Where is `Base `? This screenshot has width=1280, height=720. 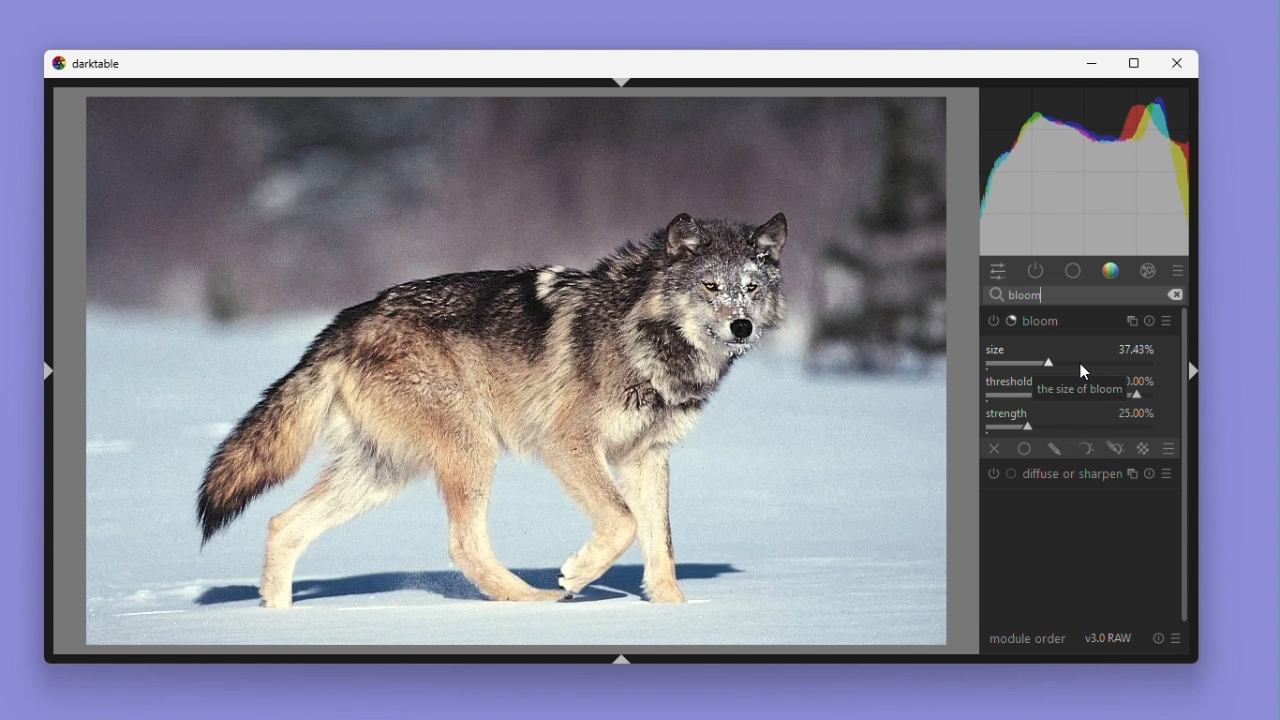 Base  is located at coordinates (1073, 270).